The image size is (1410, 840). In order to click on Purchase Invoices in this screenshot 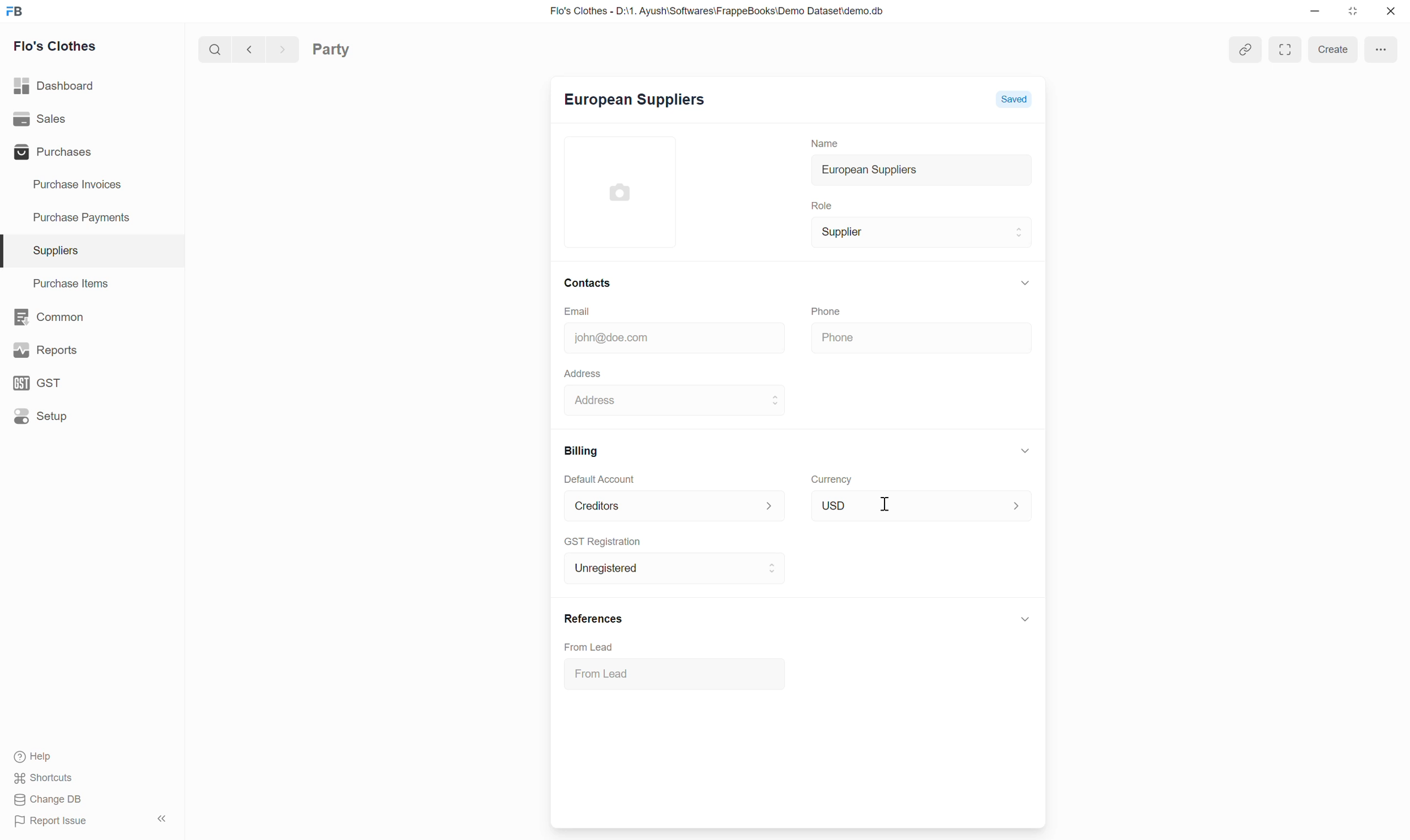, I will do `click(74, 181)`.